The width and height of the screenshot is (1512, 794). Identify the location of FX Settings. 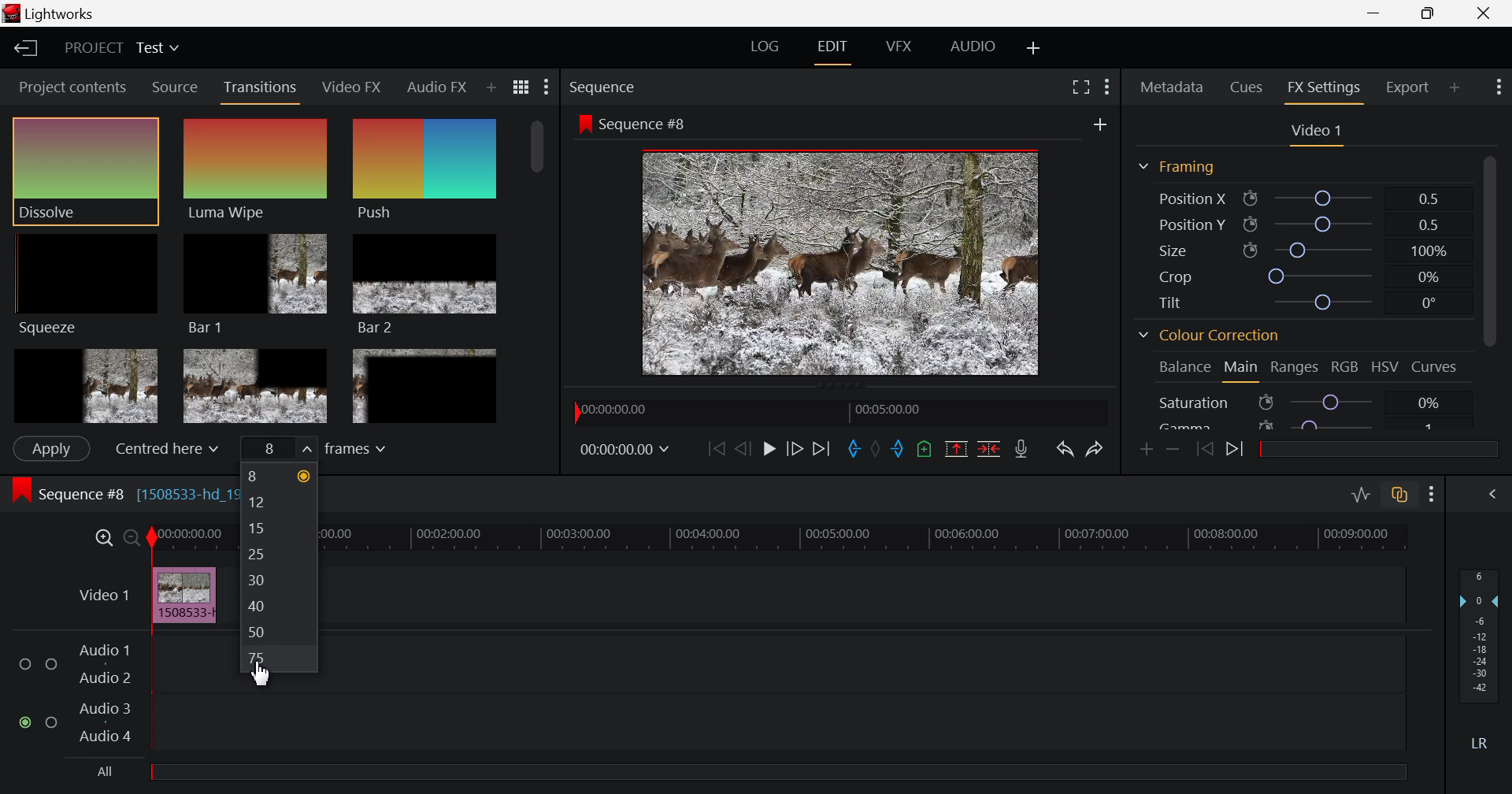
(1322, 90).